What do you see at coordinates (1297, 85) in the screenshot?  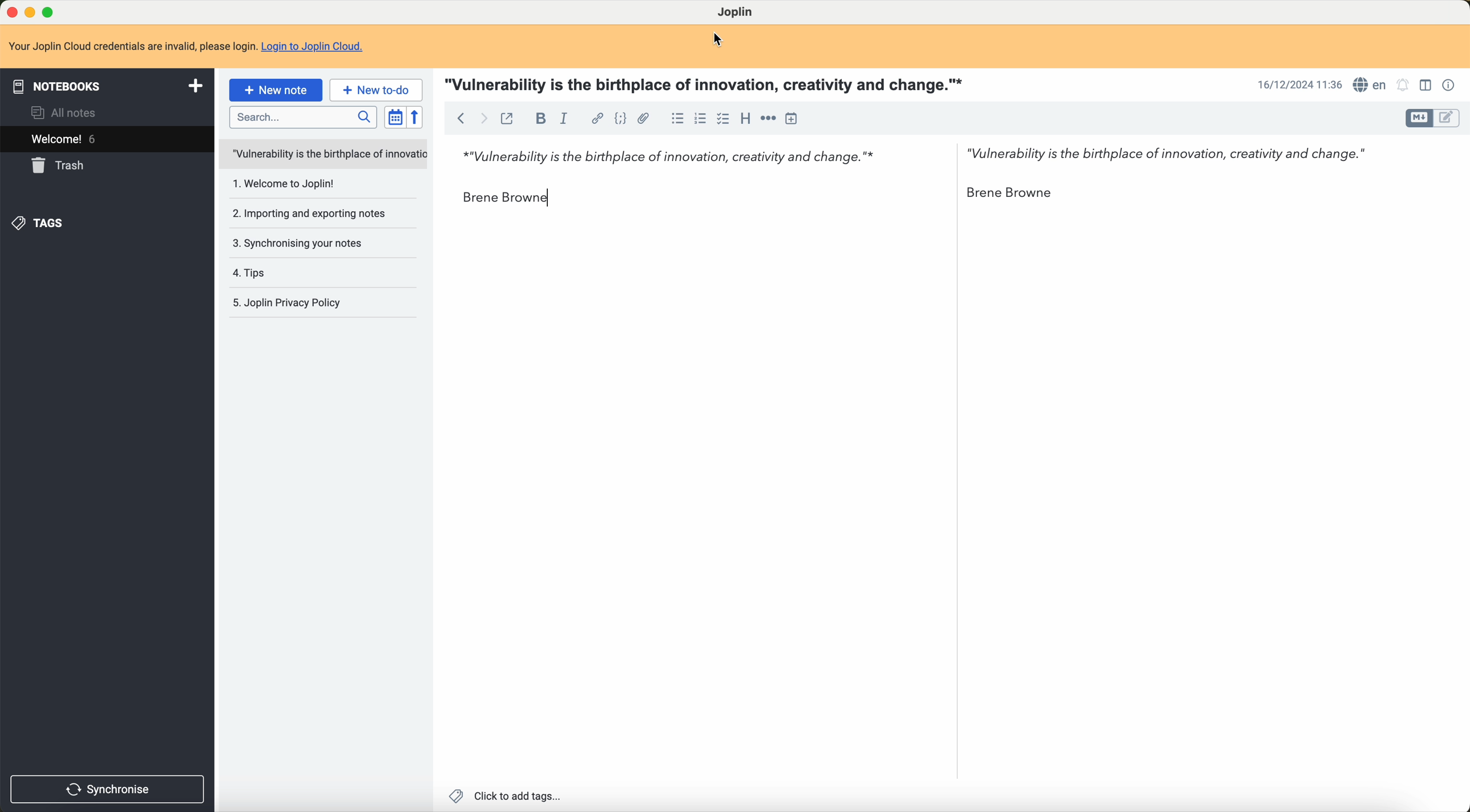 I see `16/12/2024 11:35` at bounding box center [1297, 85].